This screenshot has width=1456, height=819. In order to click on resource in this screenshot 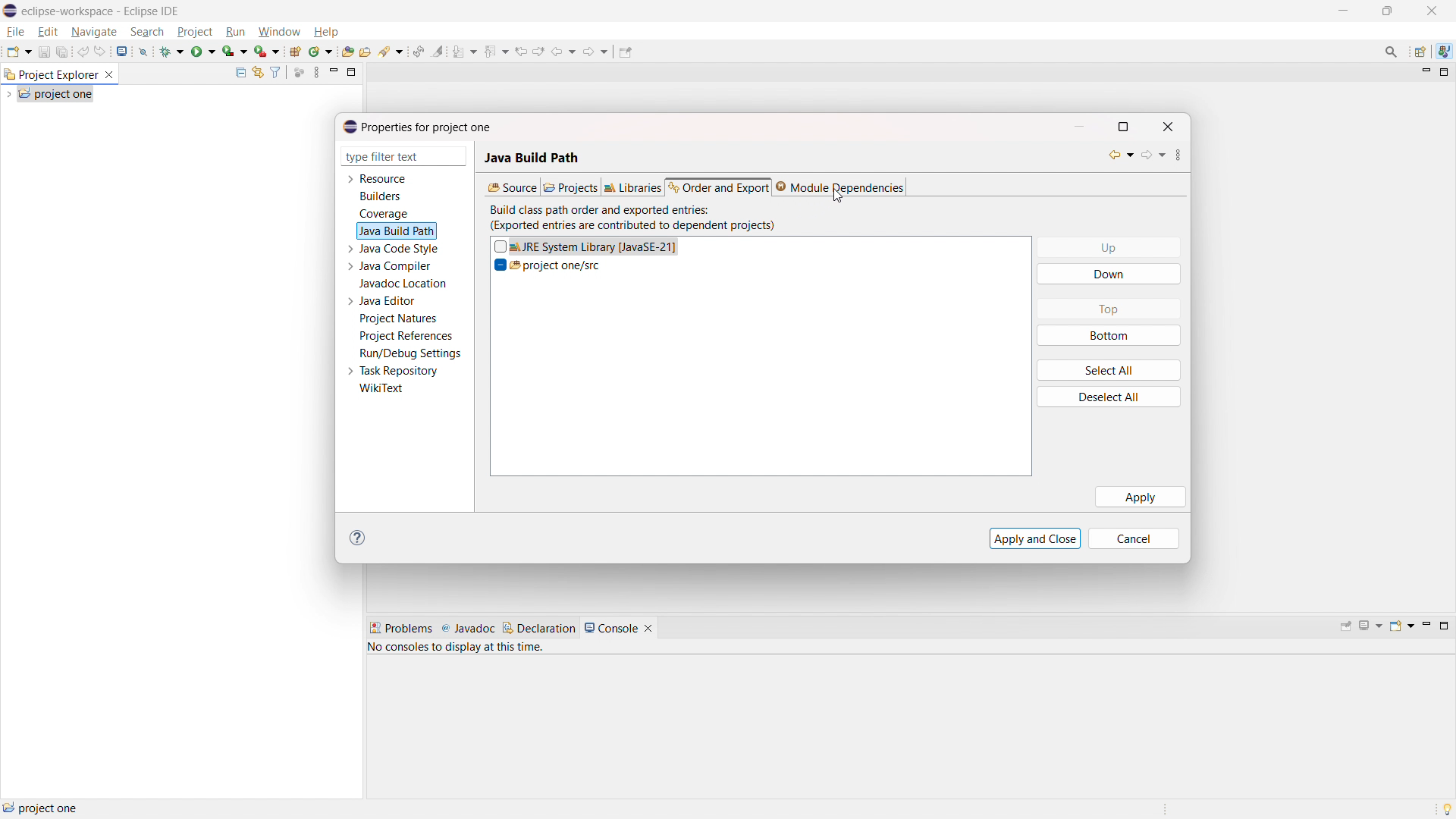, I will do `click(384, 178)`.